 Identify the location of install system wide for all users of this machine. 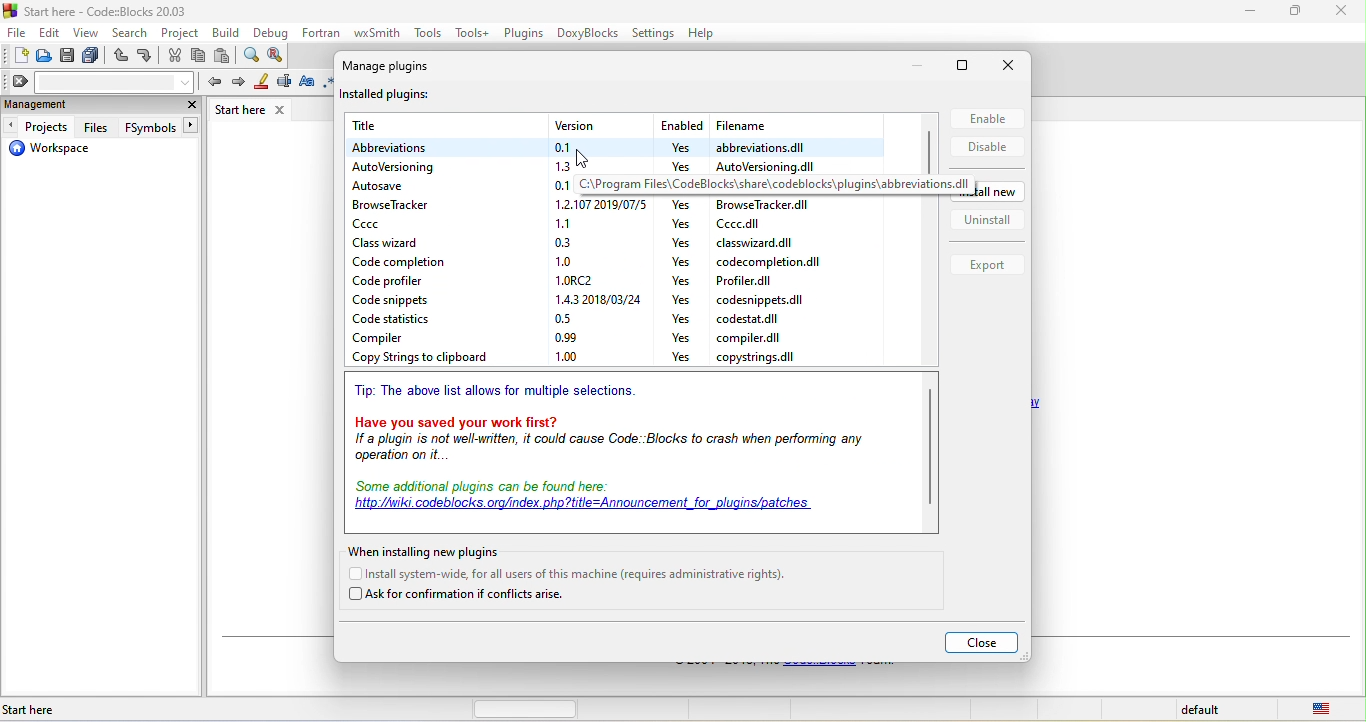
(583, 574).